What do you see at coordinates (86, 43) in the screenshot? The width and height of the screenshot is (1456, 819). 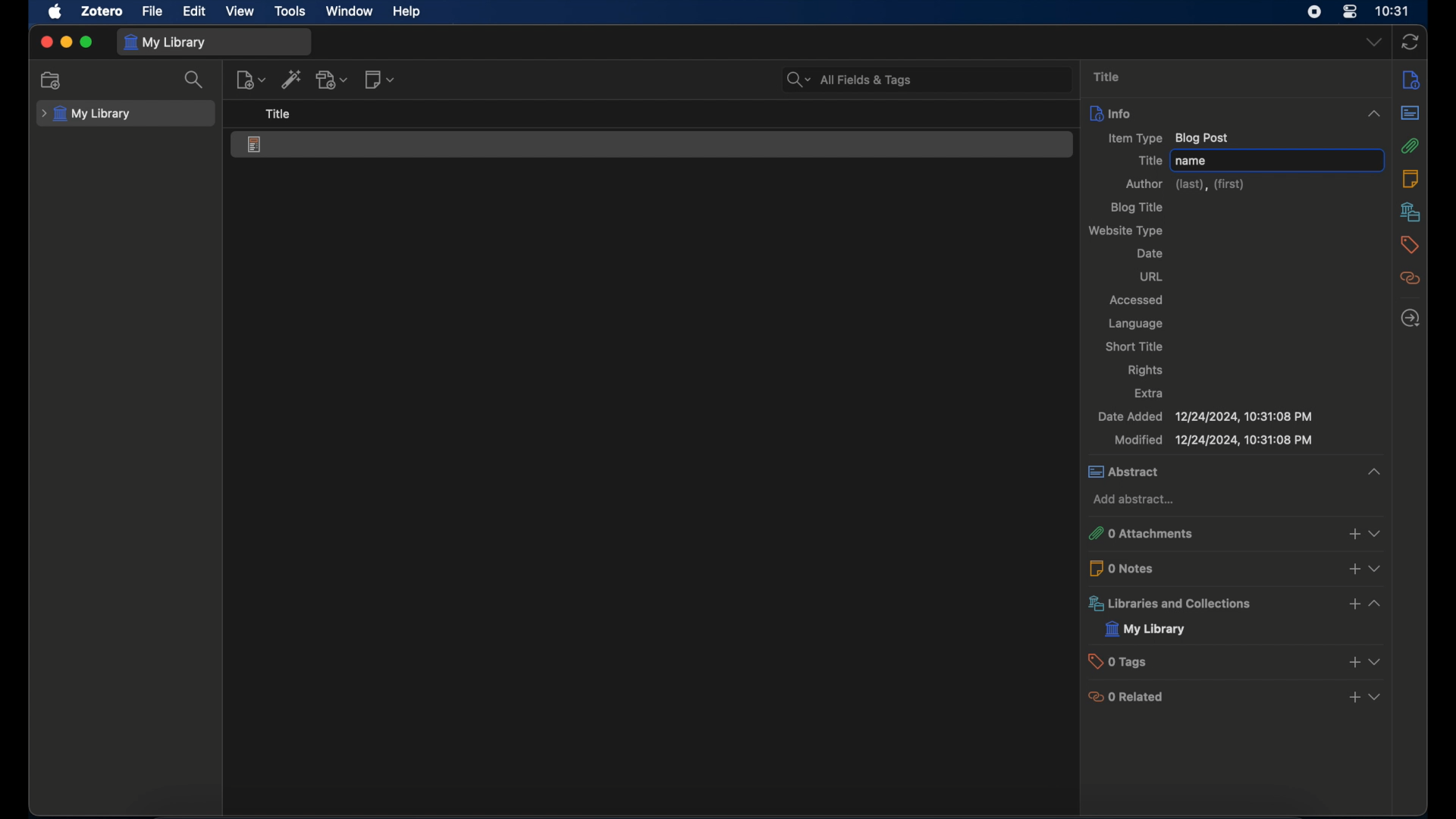 I see `maximize` at bounding box center [86, 43].